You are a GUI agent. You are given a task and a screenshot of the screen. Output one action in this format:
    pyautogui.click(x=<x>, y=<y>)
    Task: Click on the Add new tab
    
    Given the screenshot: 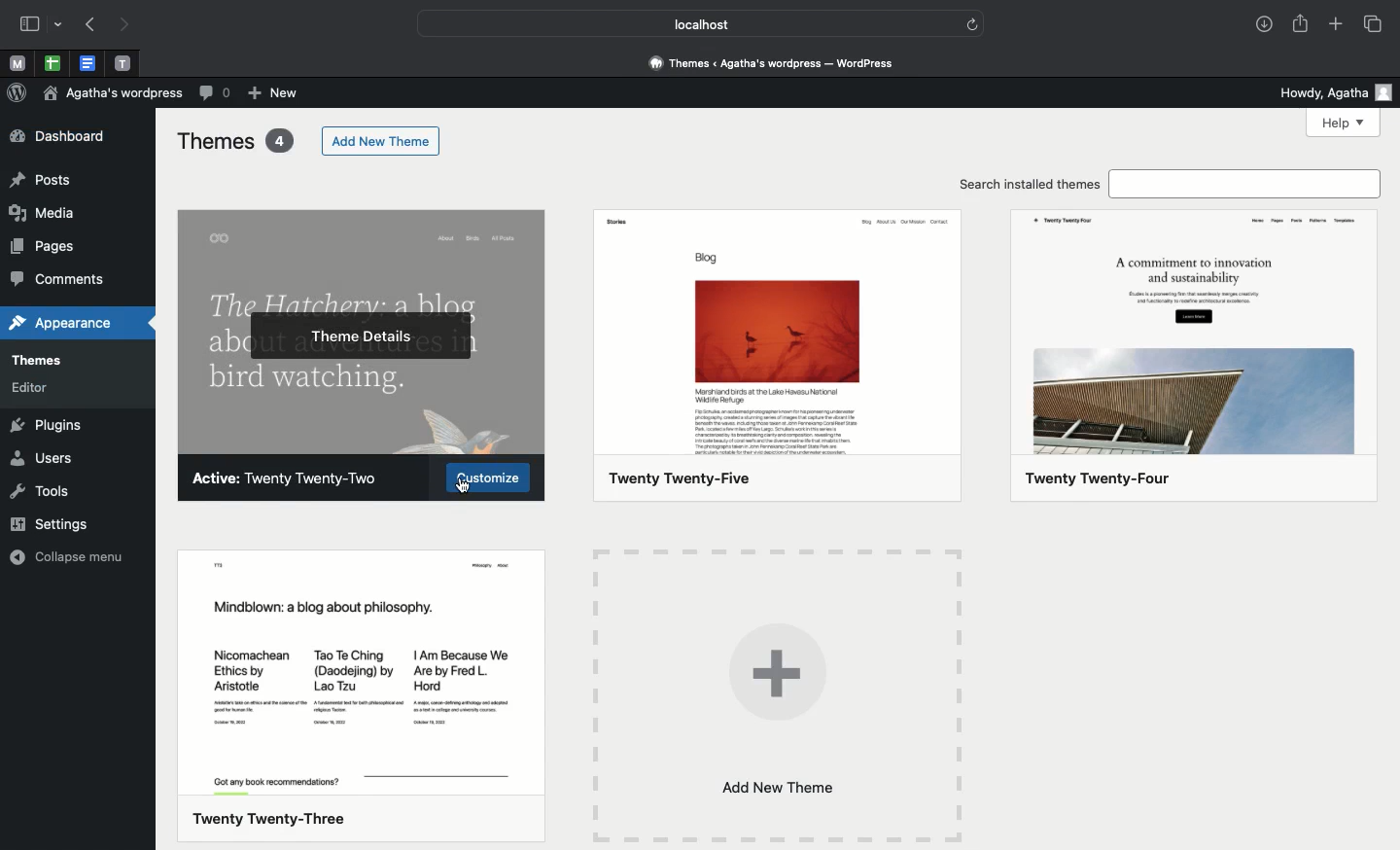 What is the action you would take?
    pyautogui.click(x=1338, y=26)
    